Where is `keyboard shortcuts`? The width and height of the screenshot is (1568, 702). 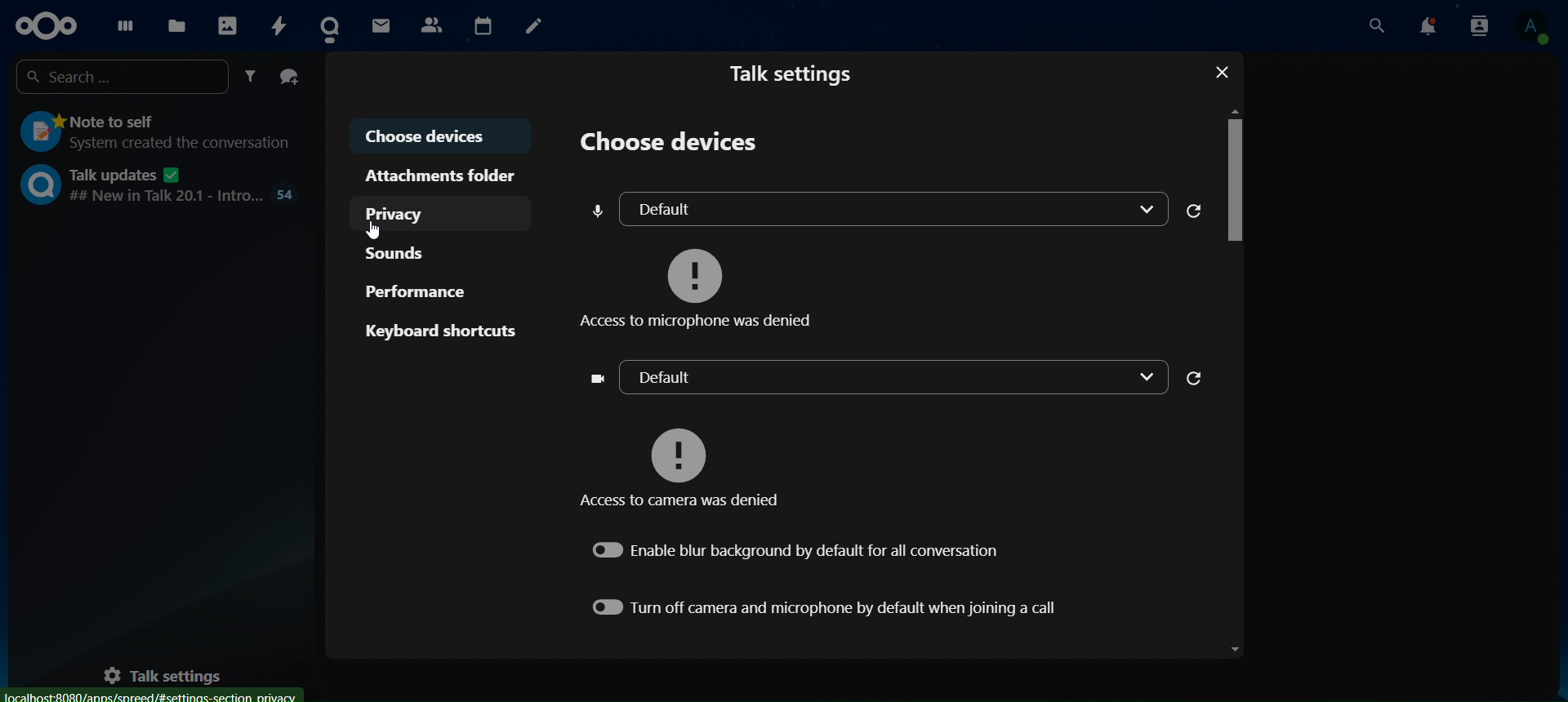 keyboard shortcuts is located at coordinates (442, 331).